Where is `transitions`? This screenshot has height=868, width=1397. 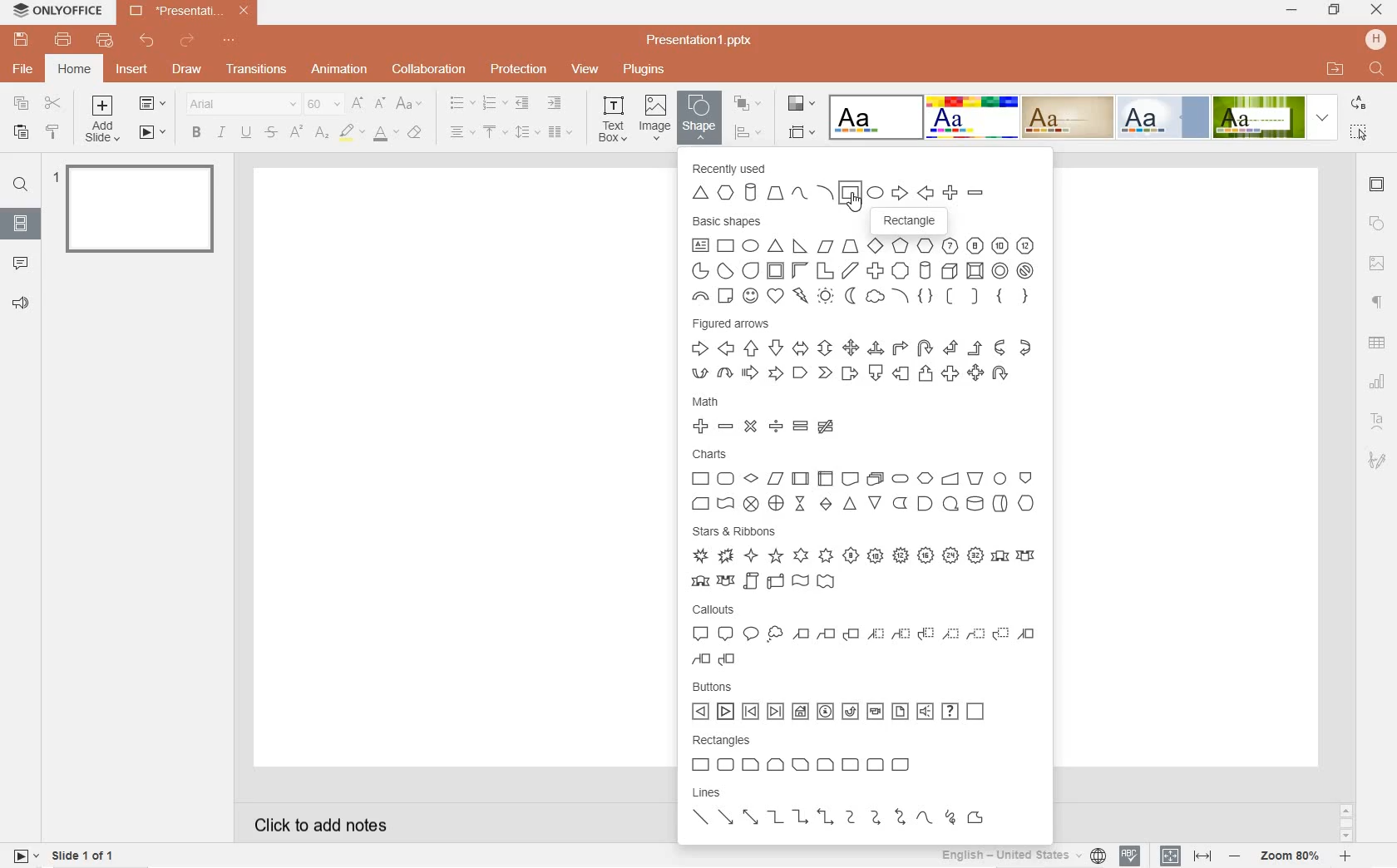
transitions is located at coordinates (254, 70).